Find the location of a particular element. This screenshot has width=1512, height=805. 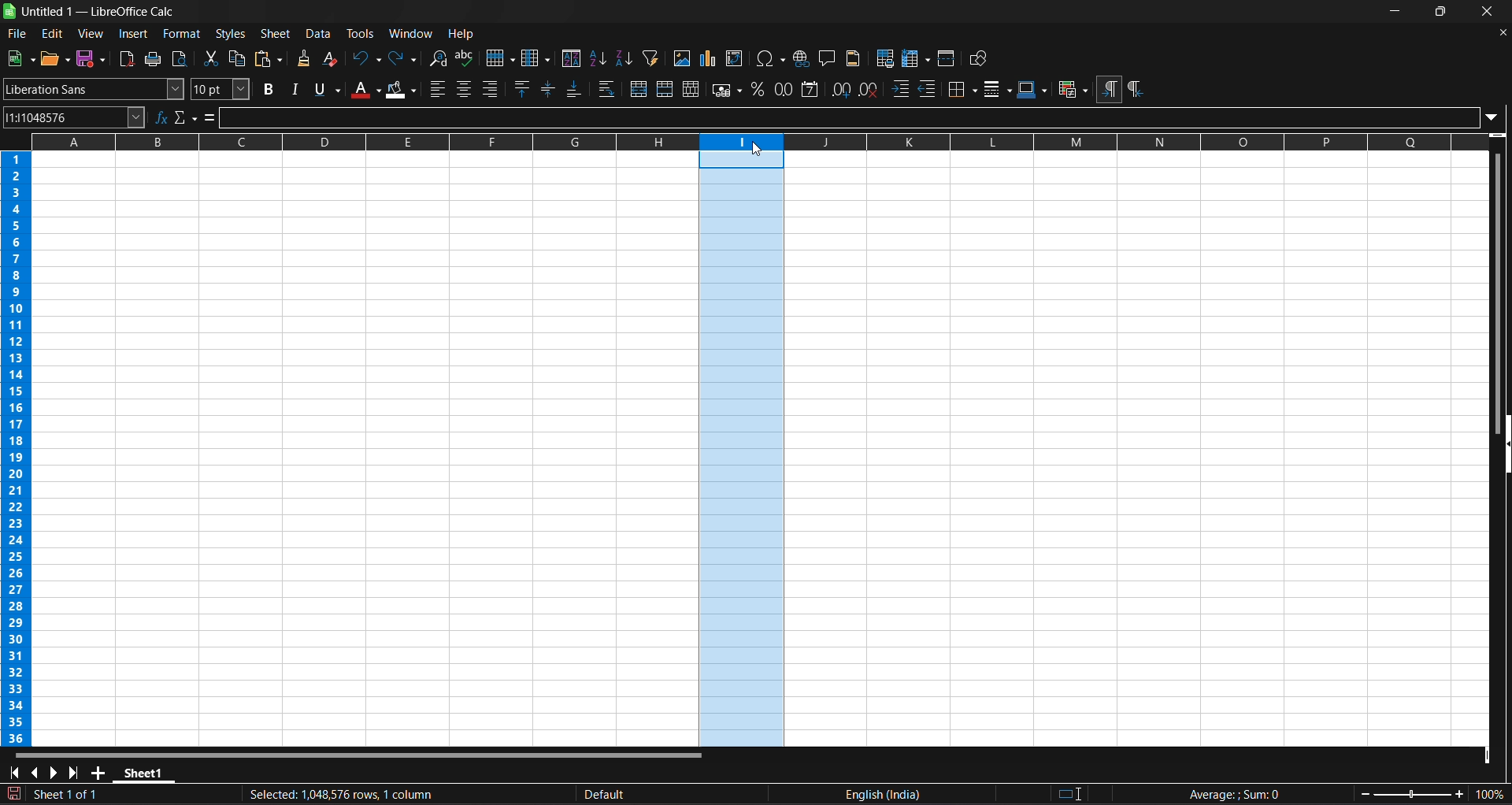

vertical scroll bar is located at coordinates (1499, 280).